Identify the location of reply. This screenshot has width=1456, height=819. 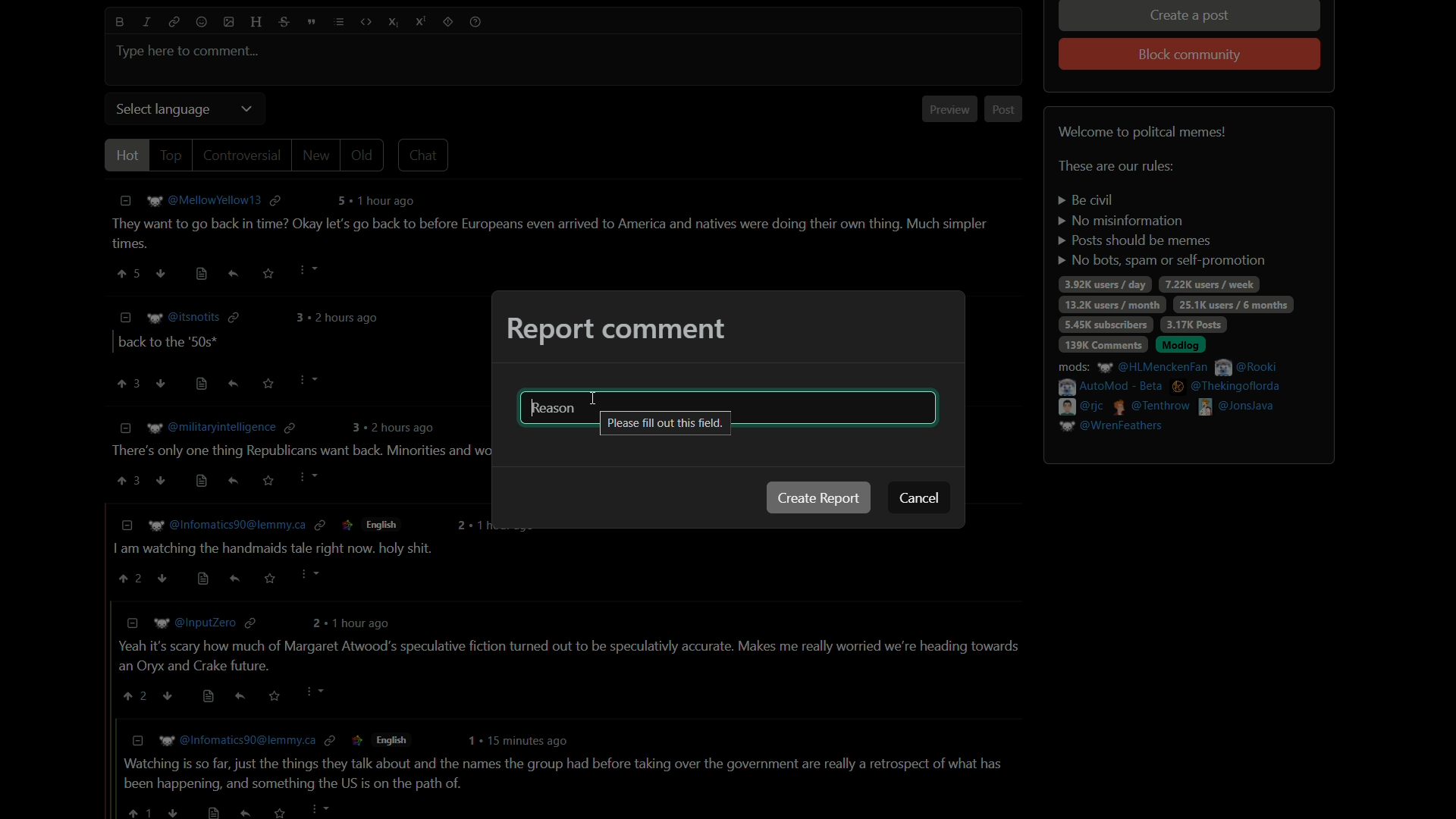
(234, 384).